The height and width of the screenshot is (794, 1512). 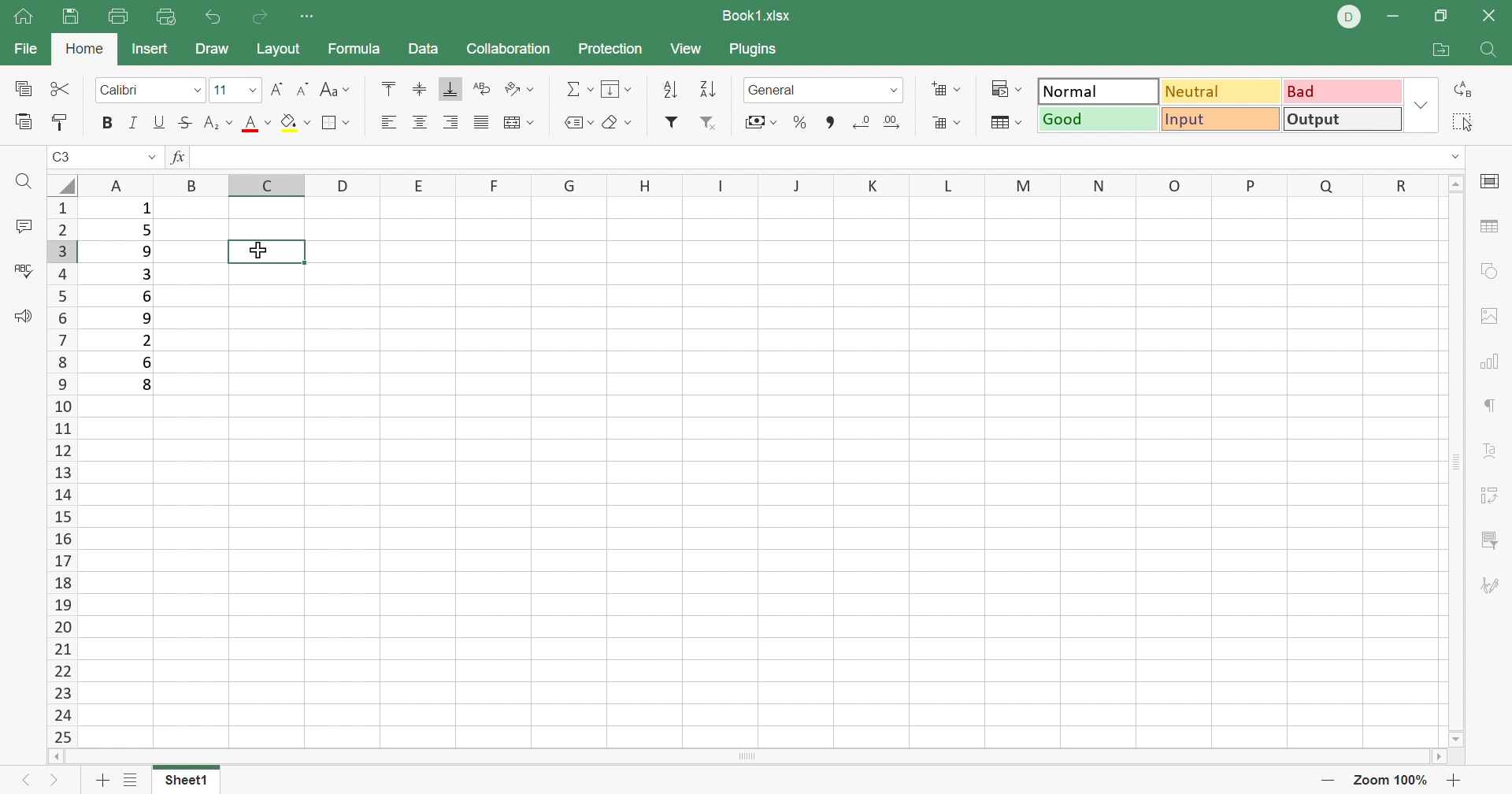 What do you see at coordinates (108, 122) in the screenshot?
I see `Bold` at bounding box center [108, 122].